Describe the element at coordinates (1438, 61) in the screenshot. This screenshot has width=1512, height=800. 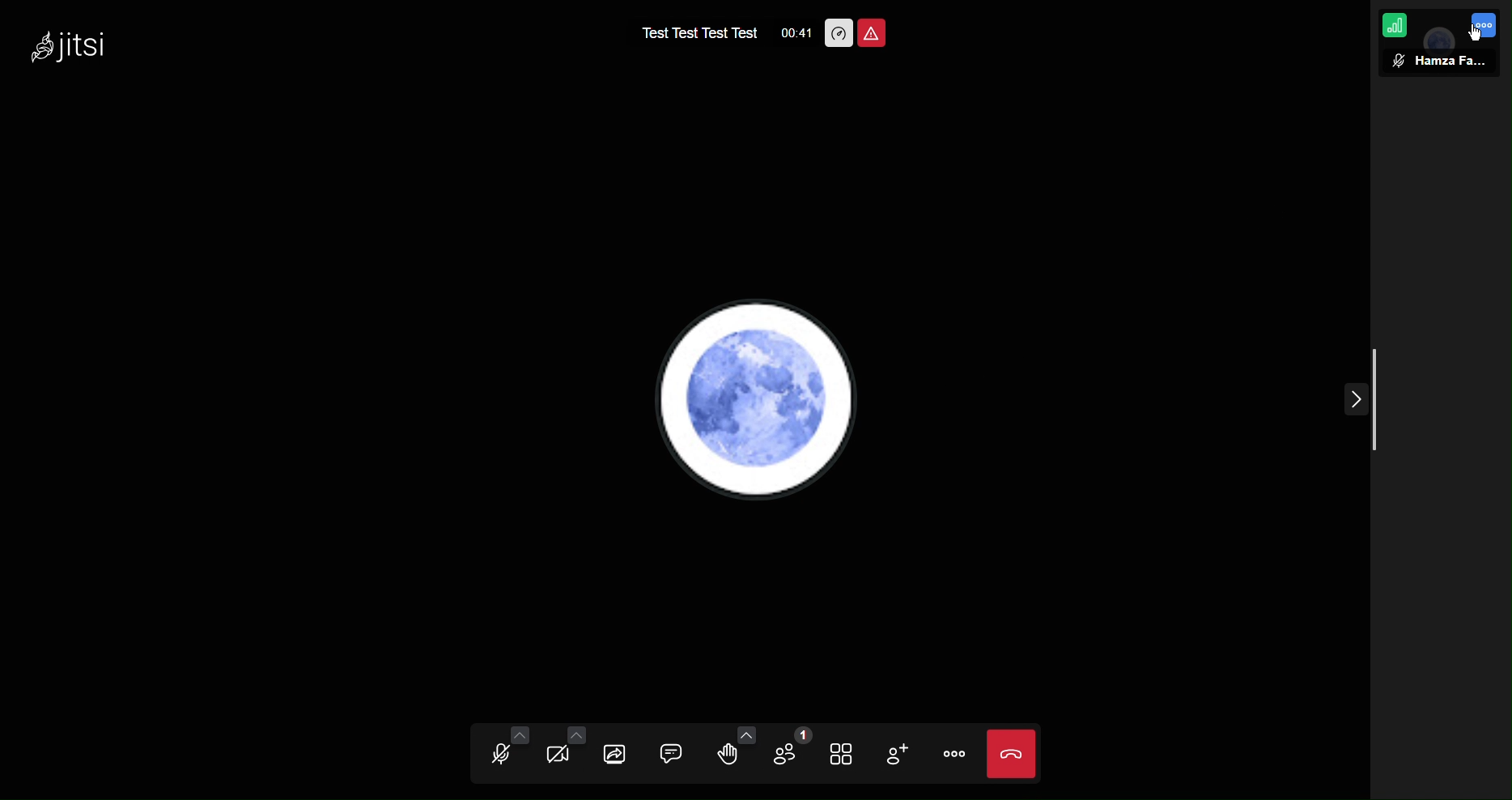
I see `Participant View` at that location.